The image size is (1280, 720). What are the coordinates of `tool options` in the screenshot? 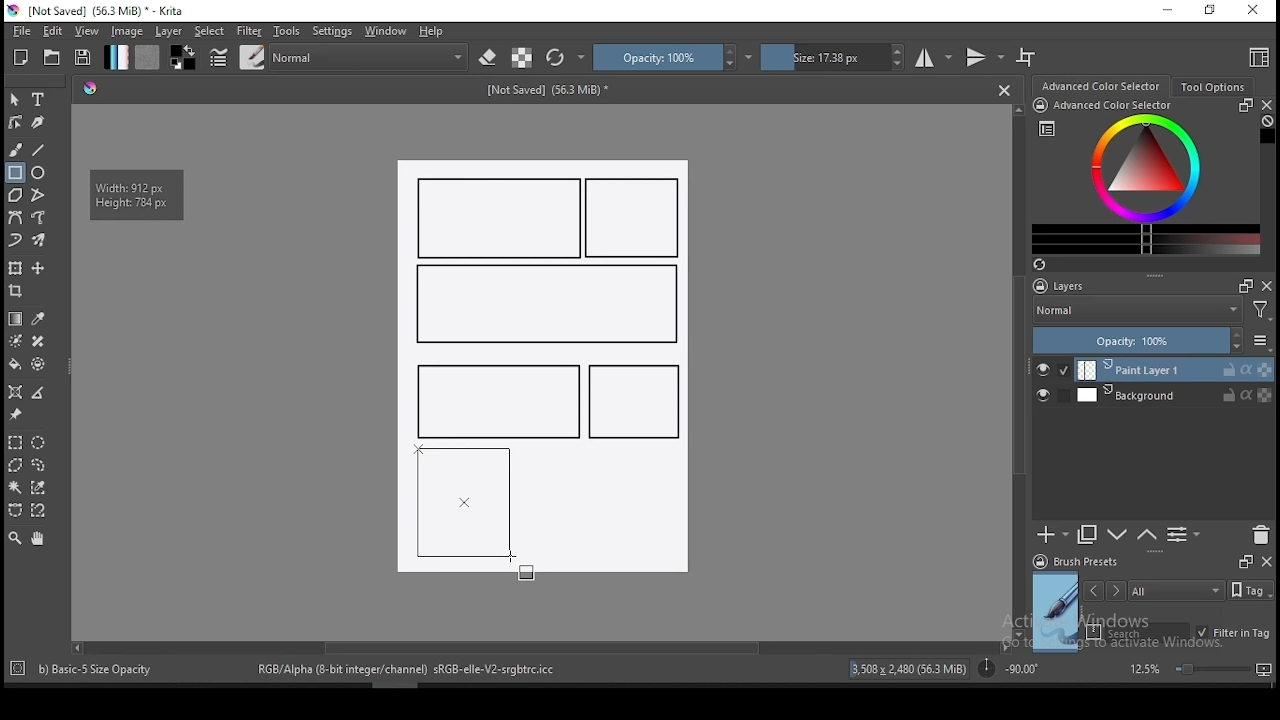 It's located at (1214, 87).